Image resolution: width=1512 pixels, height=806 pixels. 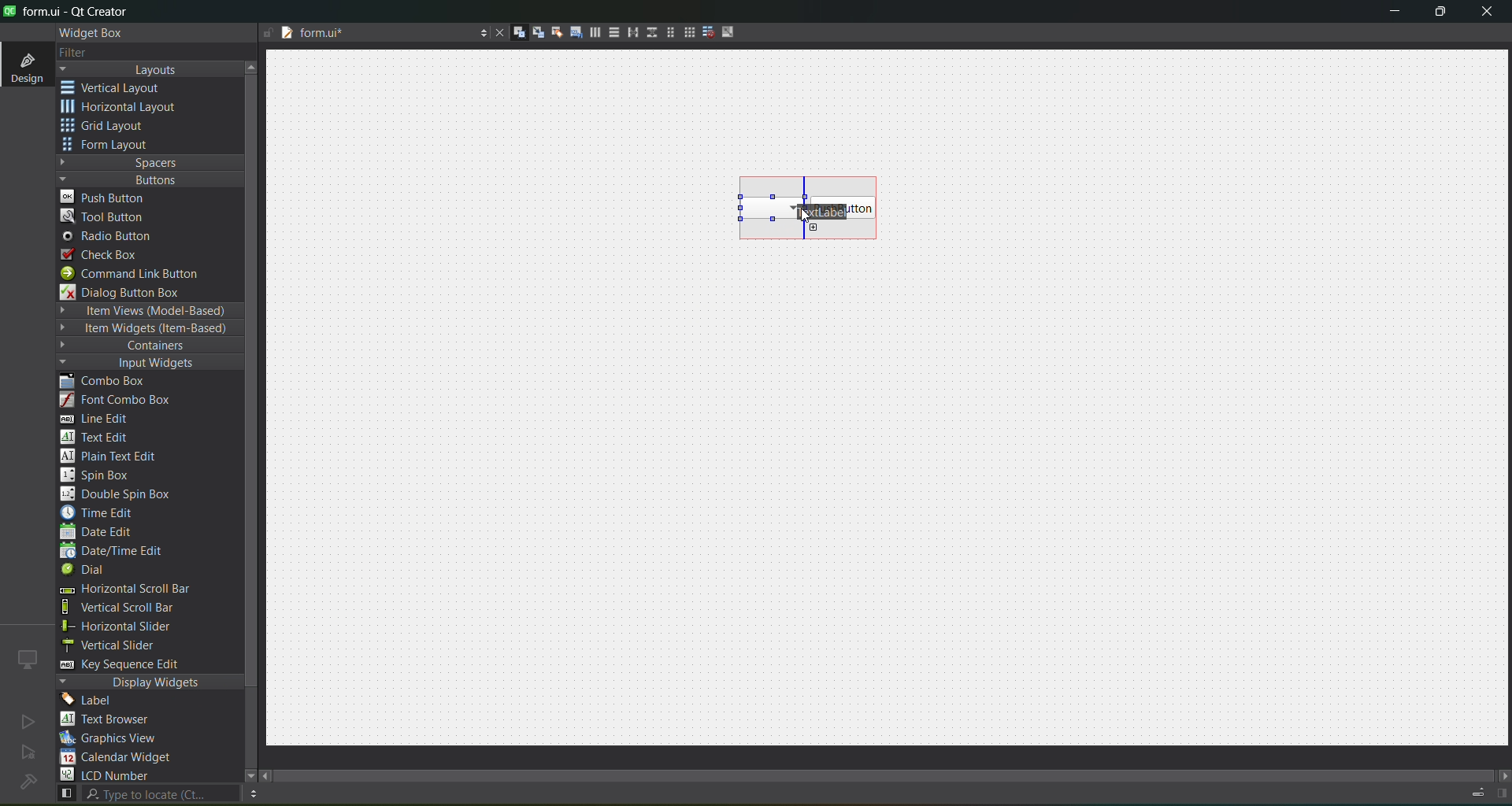 I want to click on item views, so click(x=148, y=312).